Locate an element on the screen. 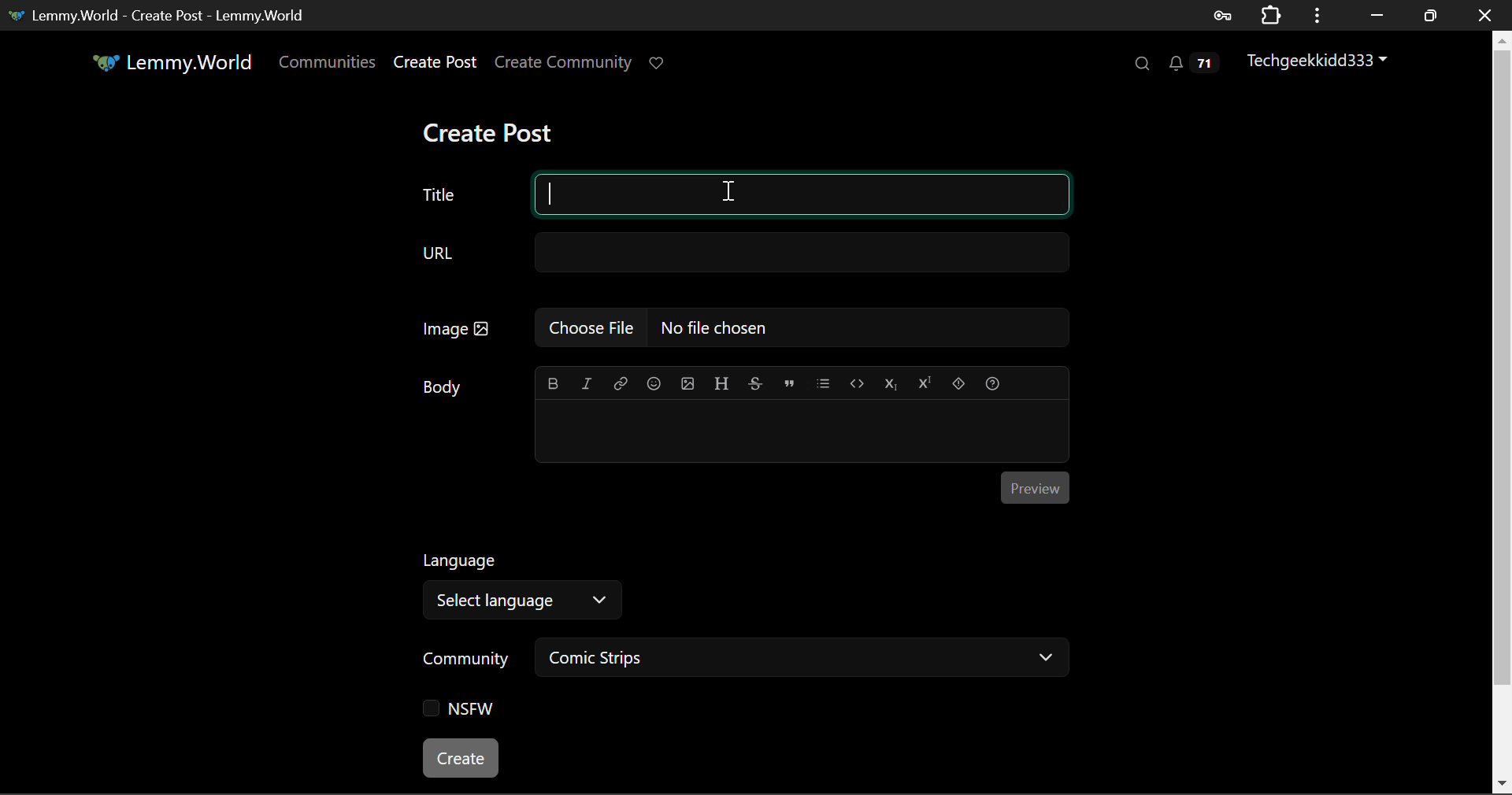 This screenshot has height=795, width=1512. Create Community is located at coordinates (563, 61).